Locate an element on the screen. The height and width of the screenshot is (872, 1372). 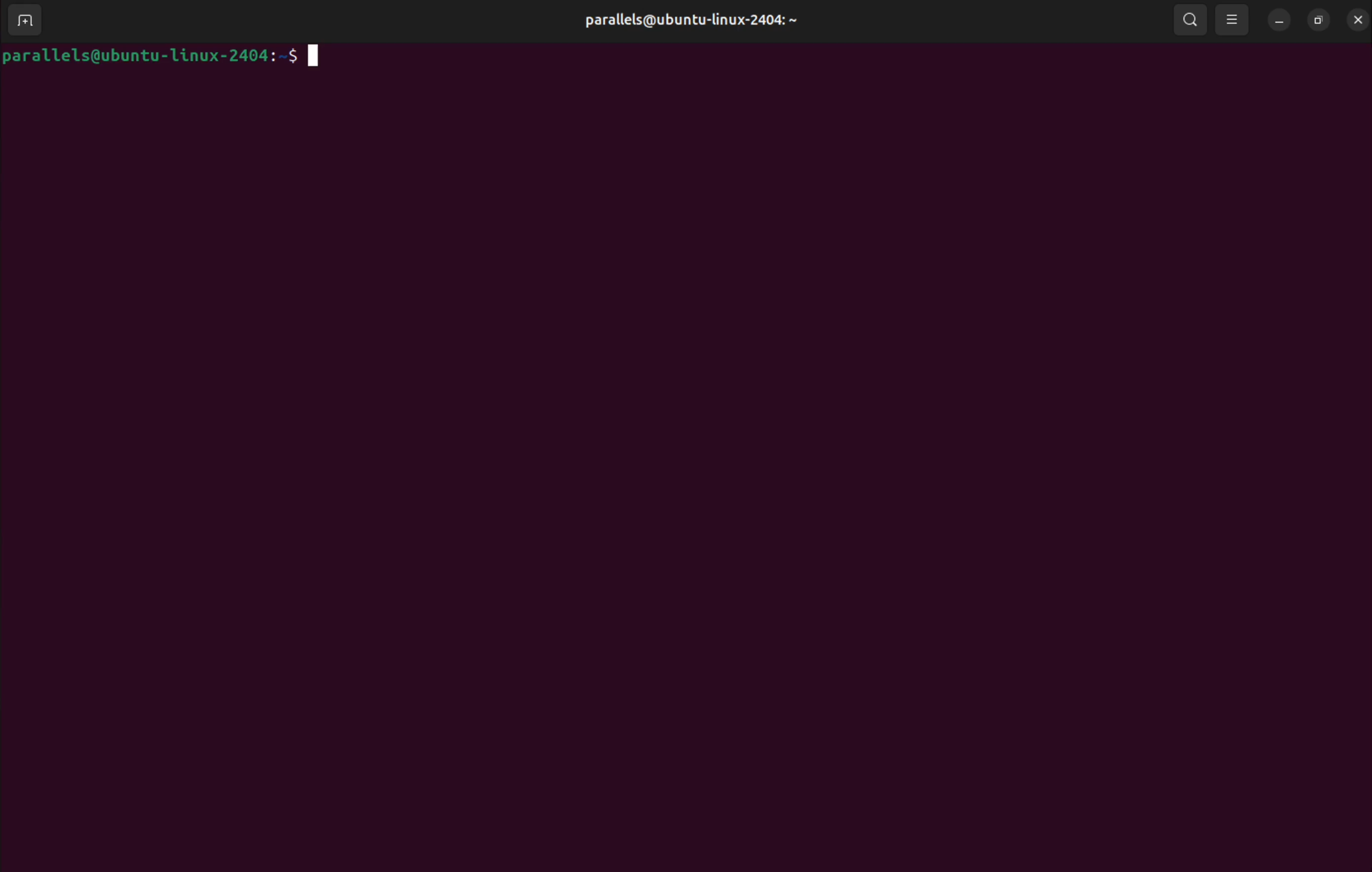
minimize is located at coordinates (1281, 20).